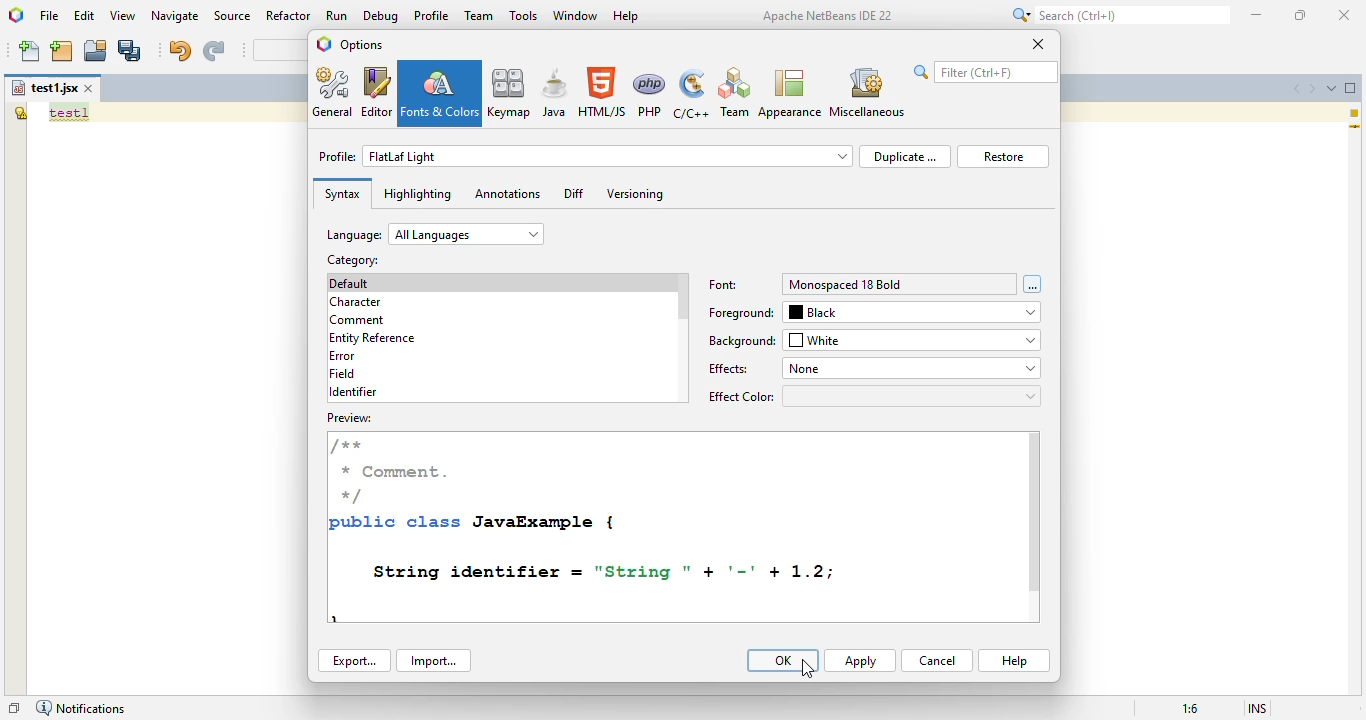 The width and height of the screenshot is (1366, 720). What do you see at coordinates (233, 16) in the screenshot?
I see `source` at bounding box center [233, 16].